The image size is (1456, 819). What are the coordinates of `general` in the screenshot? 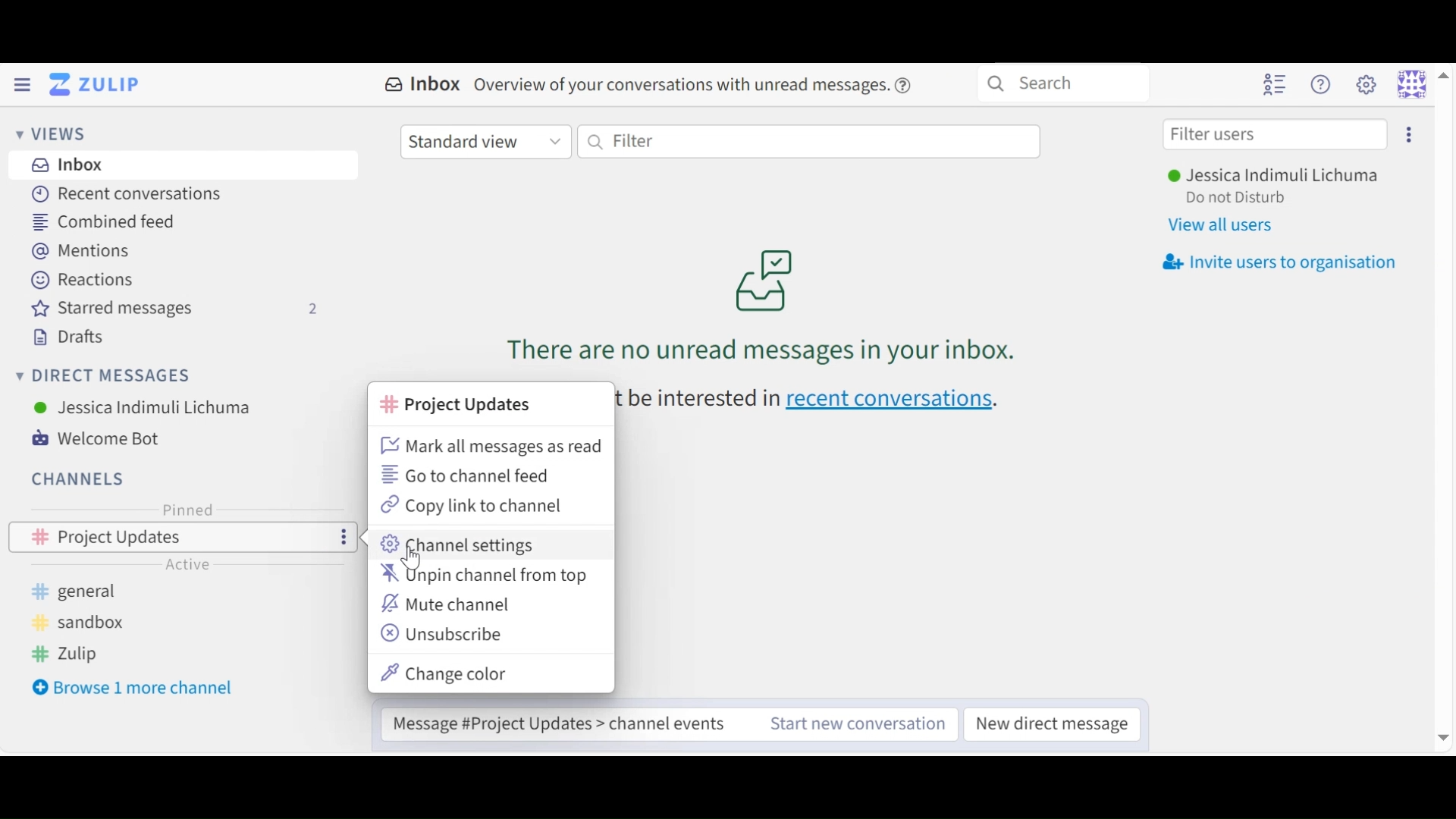 It's located at (85, 591).